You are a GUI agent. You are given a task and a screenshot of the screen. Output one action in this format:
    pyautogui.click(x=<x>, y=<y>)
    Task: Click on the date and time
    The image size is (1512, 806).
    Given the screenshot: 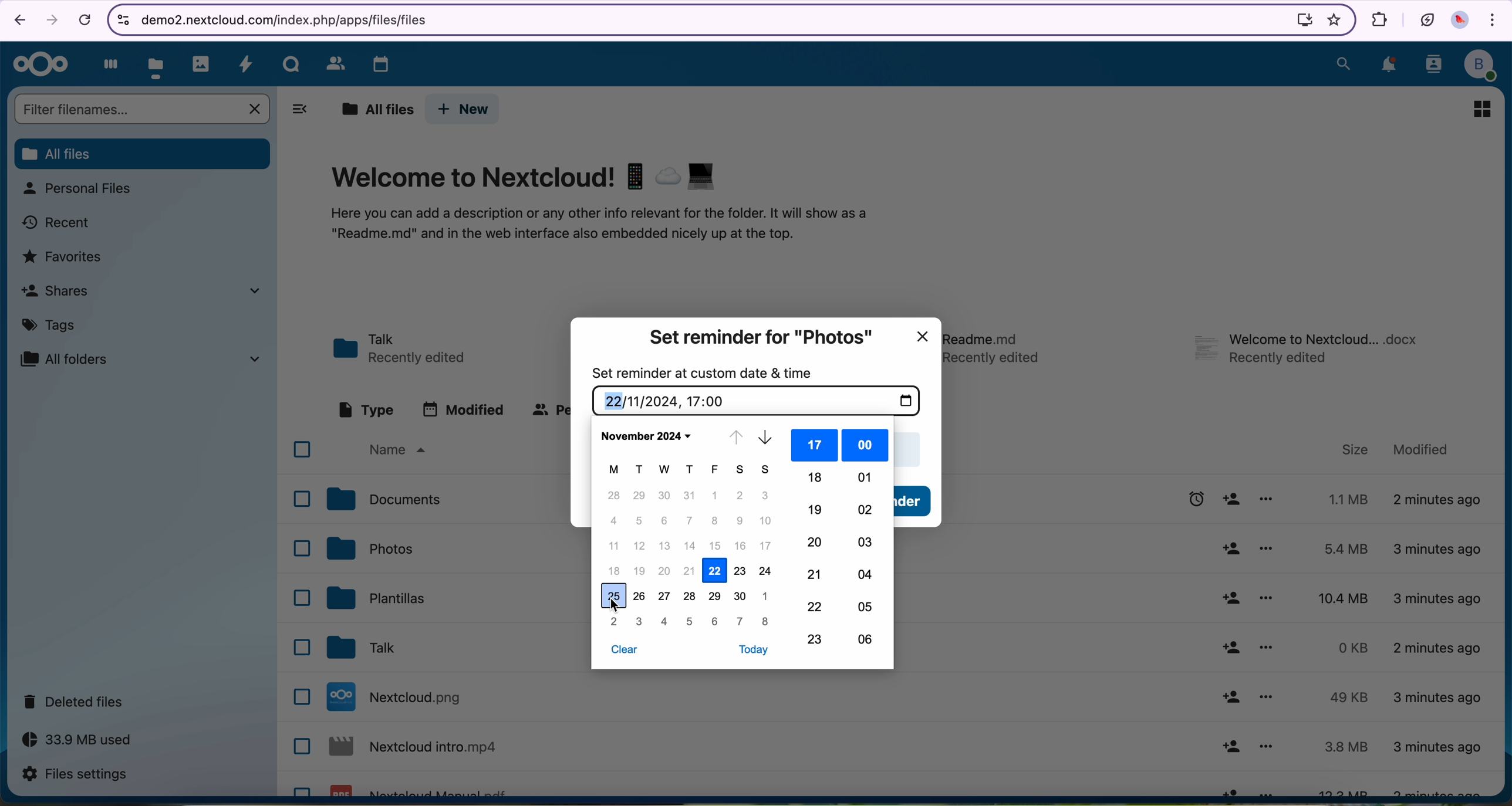 What is the action you would take?
    pyautogui.click(x=756, y=401)
    